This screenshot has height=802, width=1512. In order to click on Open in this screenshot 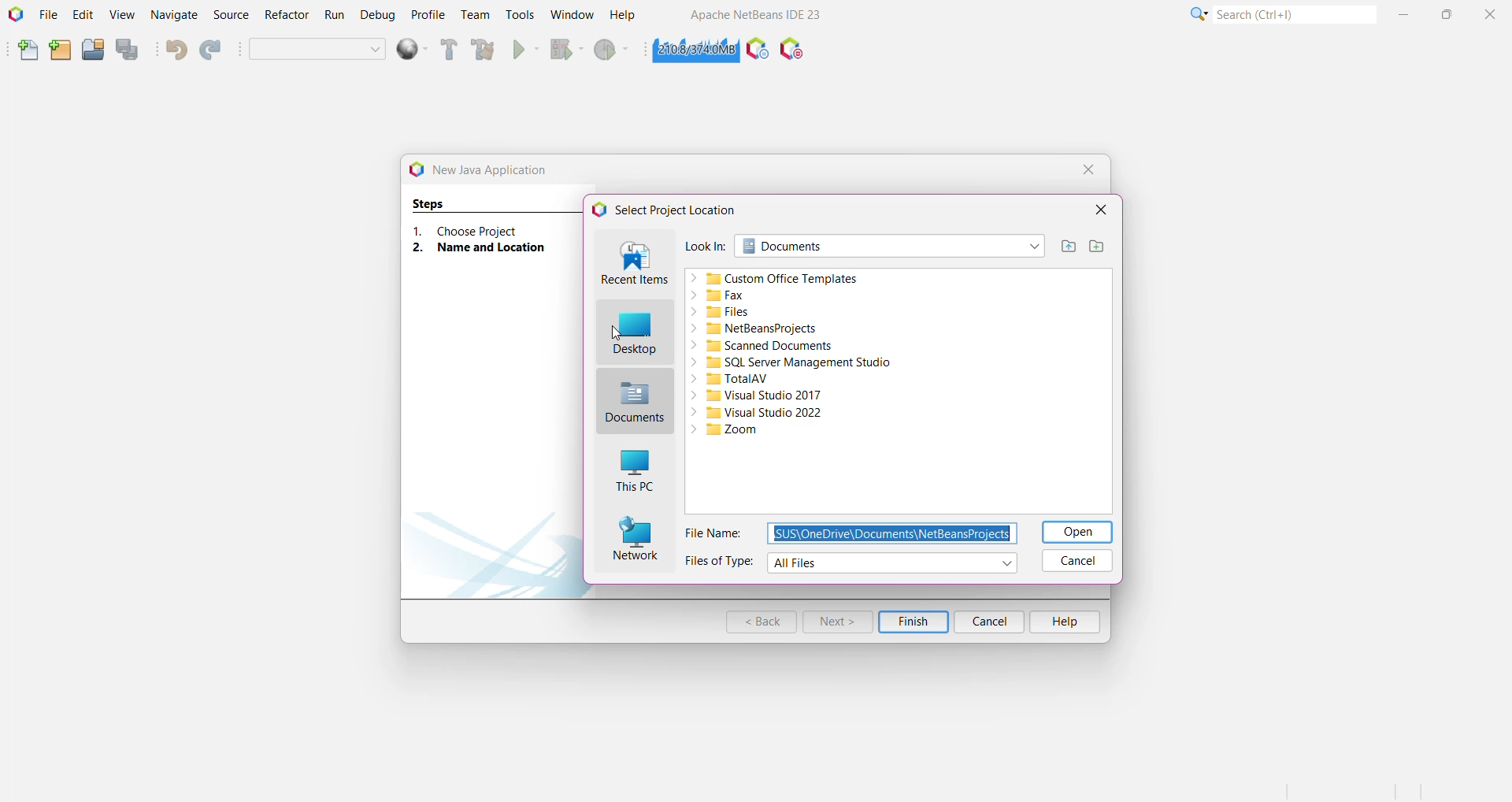, I will do `click(1077, 533)`.